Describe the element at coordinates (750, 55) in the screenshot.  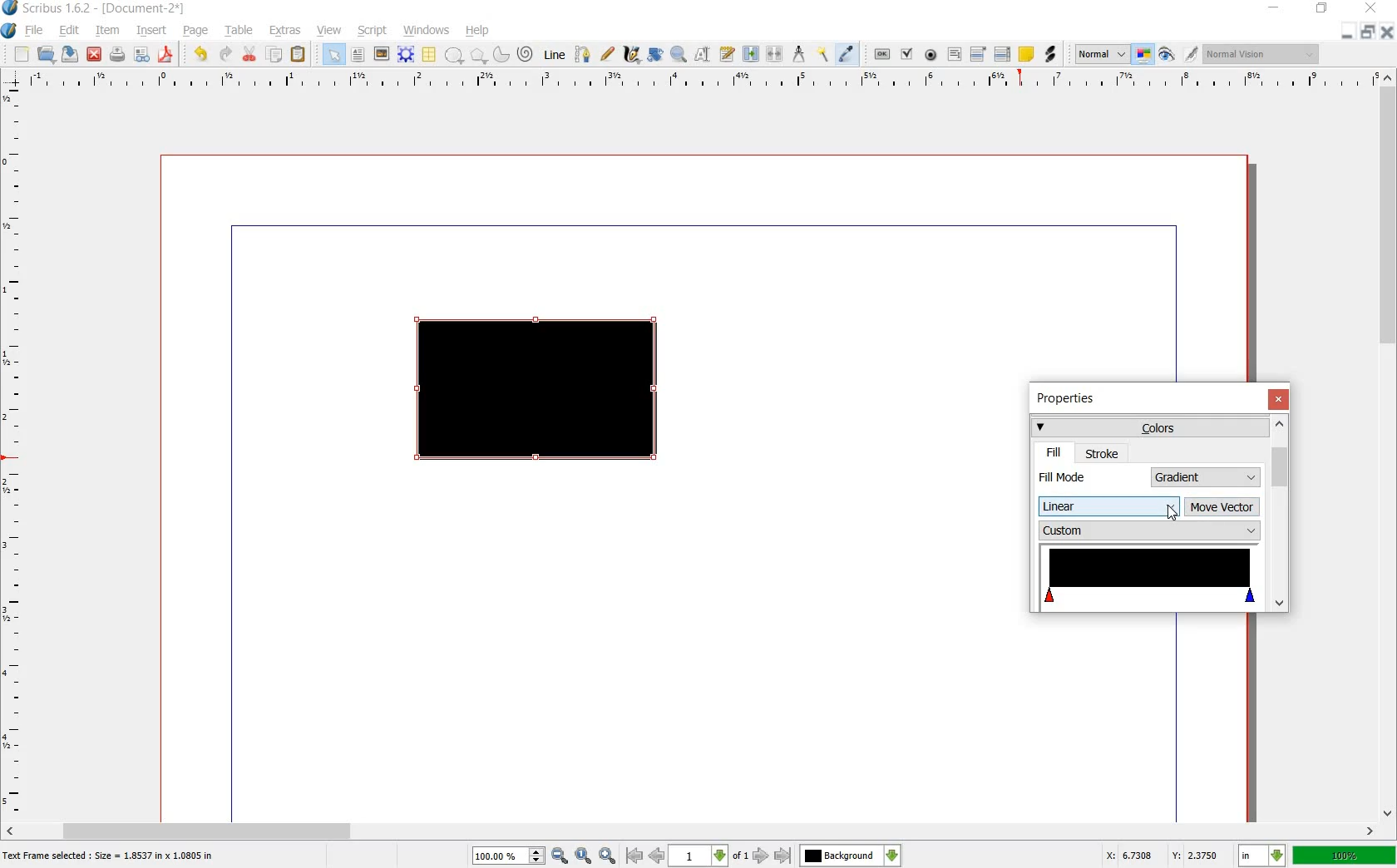
I see `link text frame` at that location.